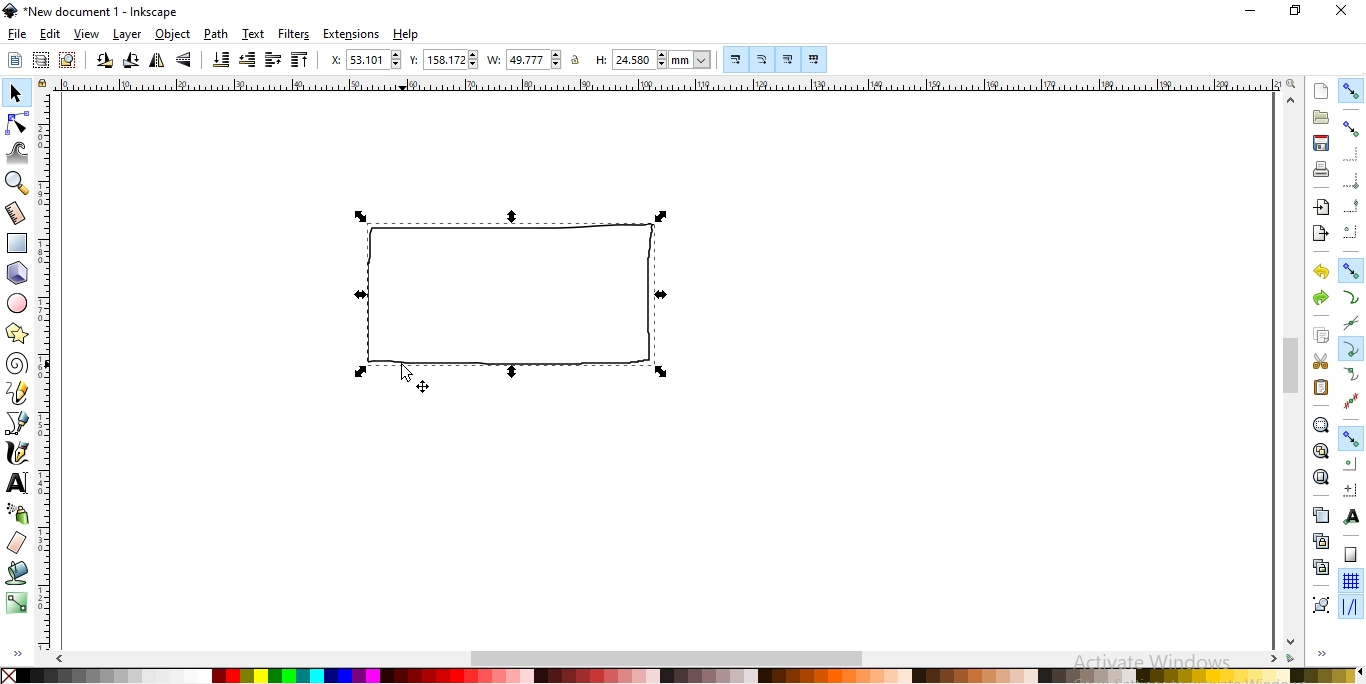 Image resolution: width=1366 pixels, height=684 pixels. I want to click on flip selected objects vertically, so click(185, 60).